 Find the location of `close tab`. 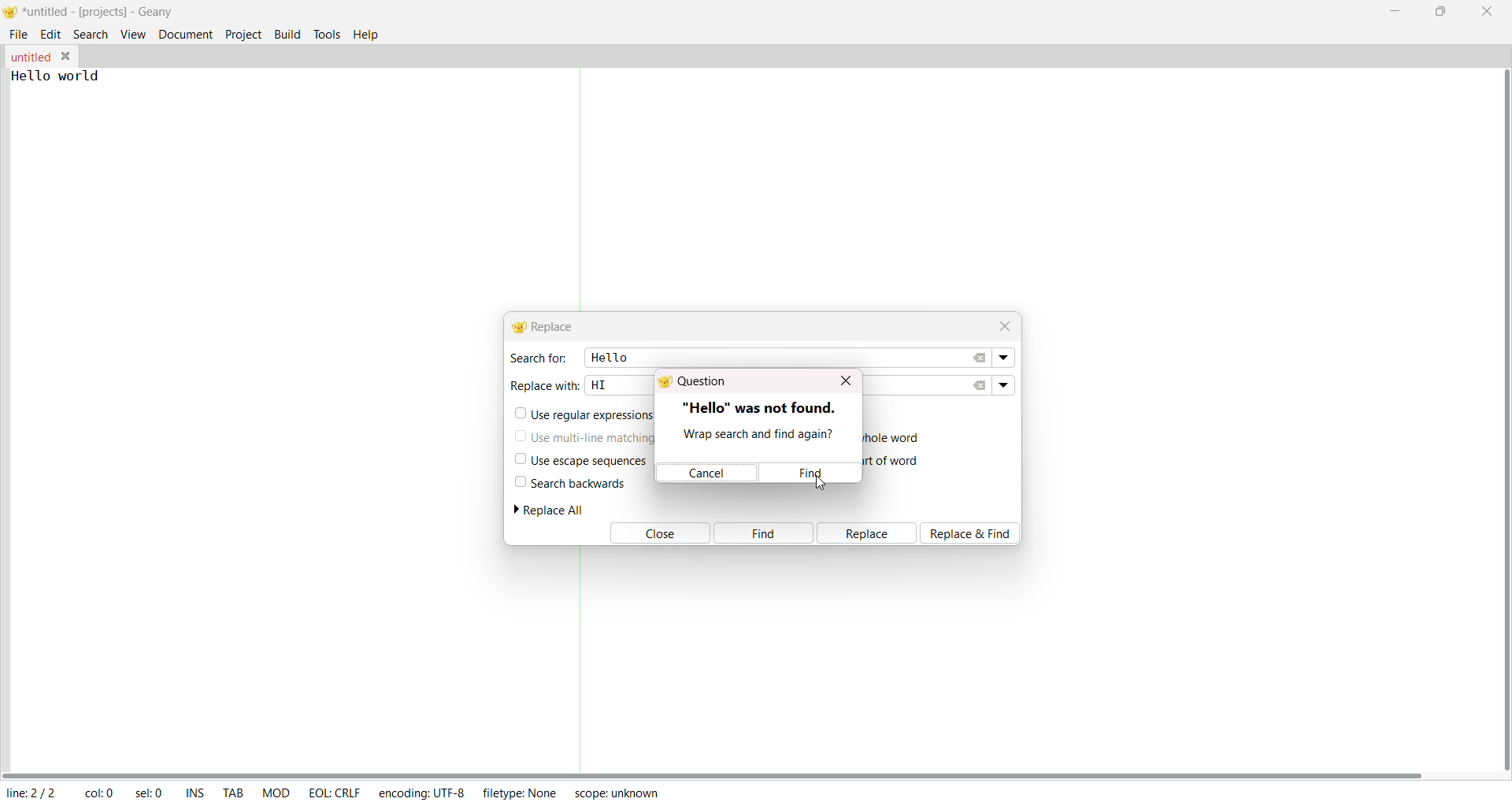

close tab is located at coordinates (69, 56).